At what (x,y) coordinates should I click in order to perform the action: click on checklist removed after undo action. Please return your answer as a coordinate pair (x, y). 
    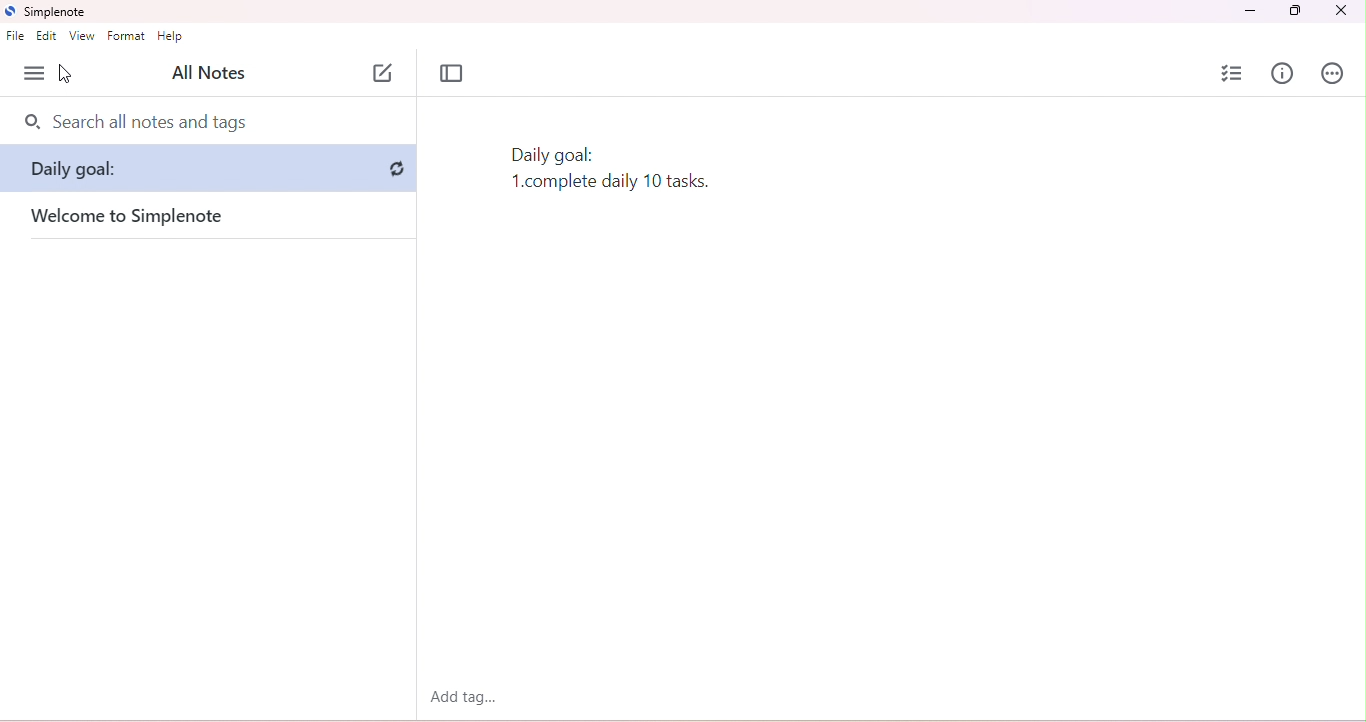
    Looking at the image, I should click on (619, 171).